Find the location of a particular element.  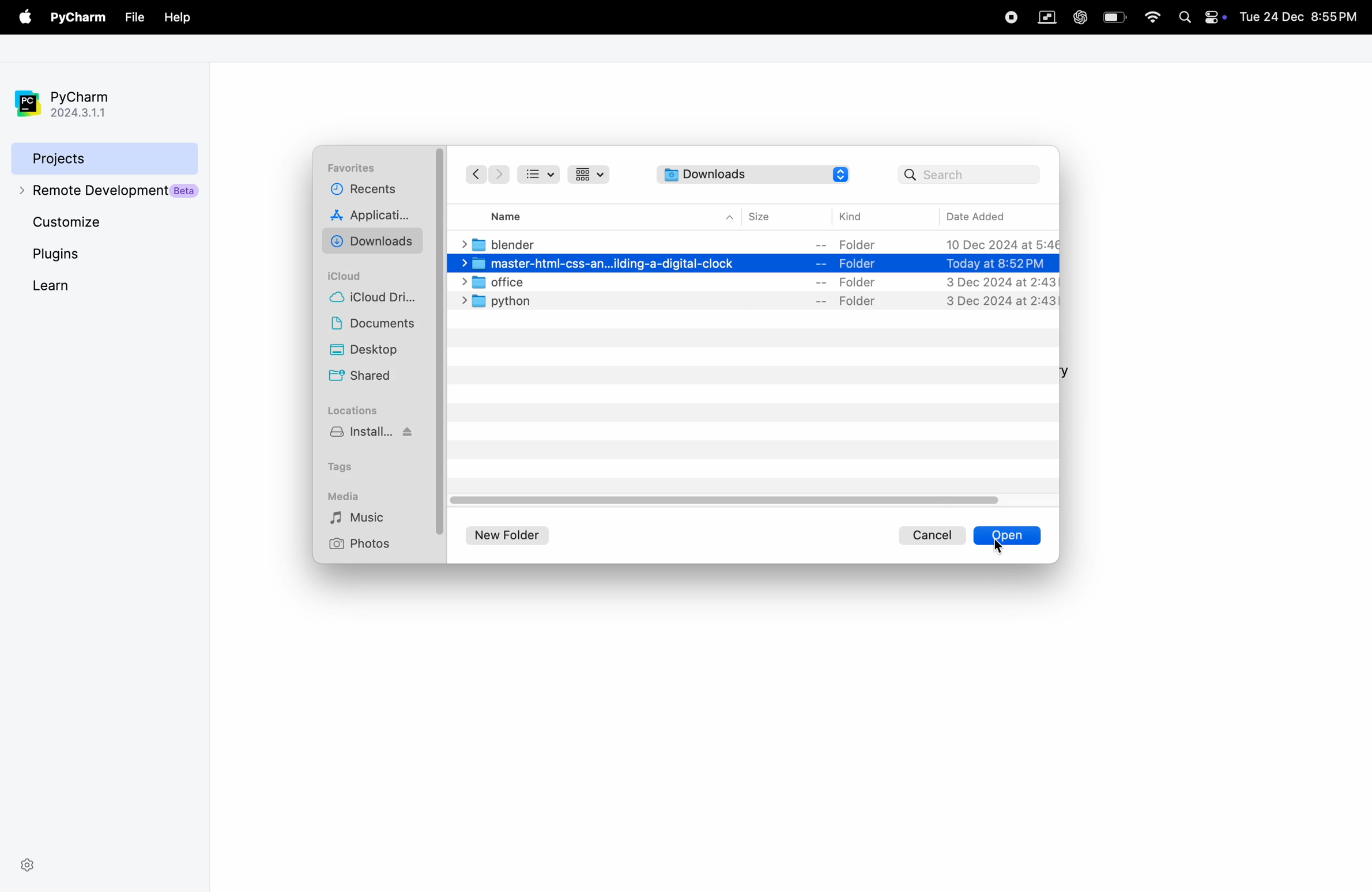

apple menu is located at coordinates (22, 18).